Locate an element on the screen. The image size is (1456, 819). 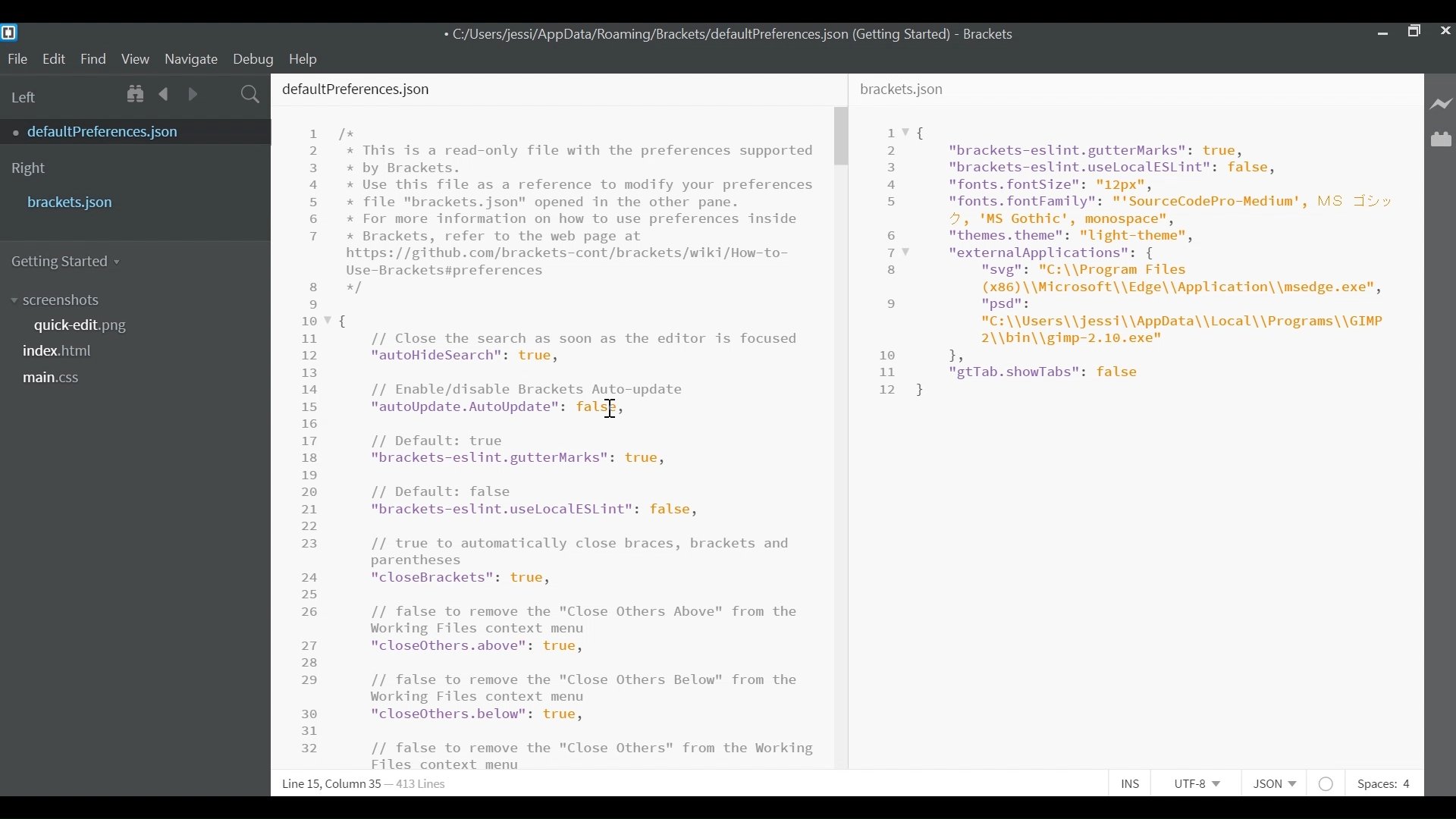
bracket.json File Path- Brackets is located at coordinates (732, 35).